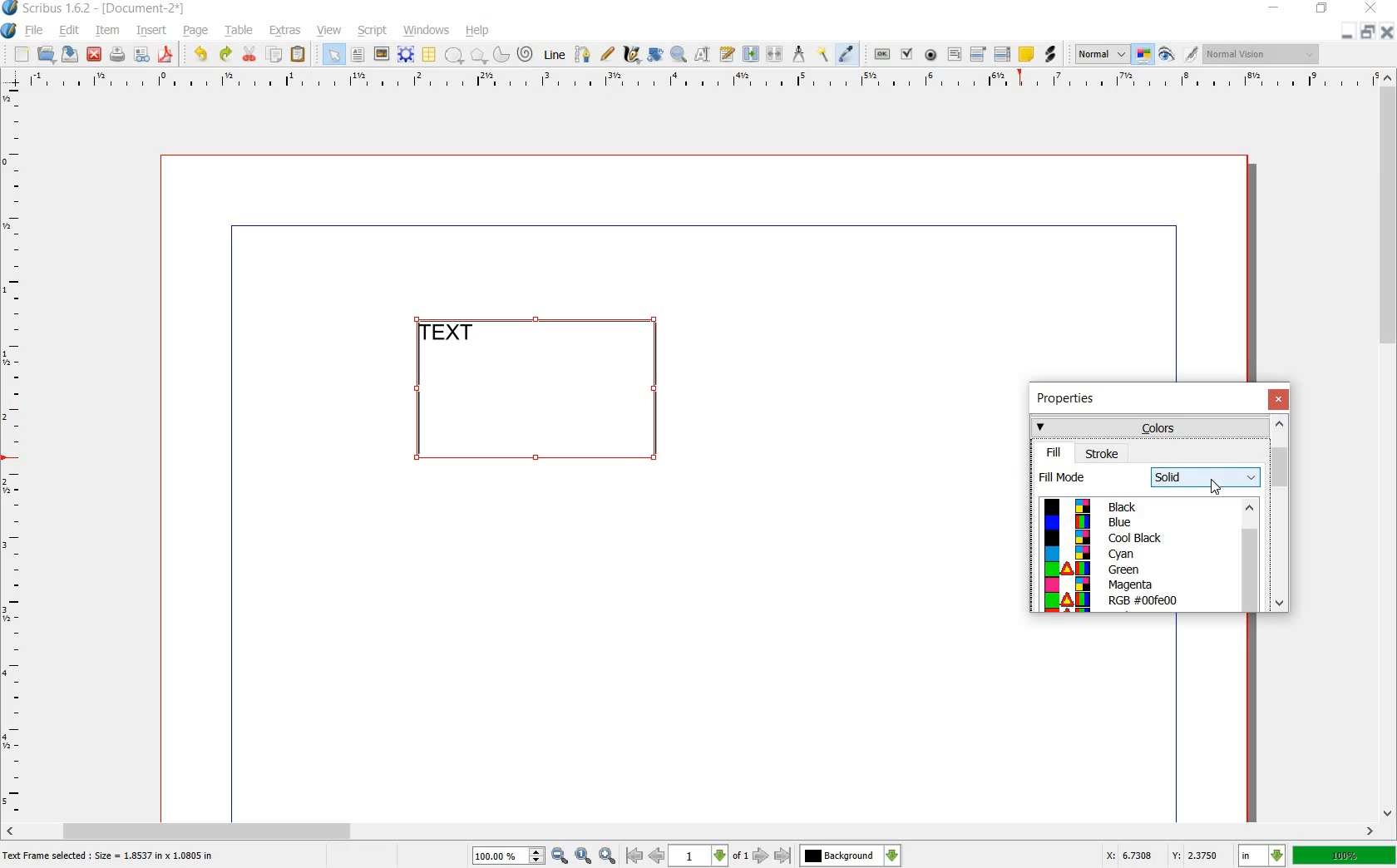 The height and width of the screenshot is (868, 1397). Describe the element at coordinates (979, 53) in the screenshot. I see `pdf combo box` at that location.